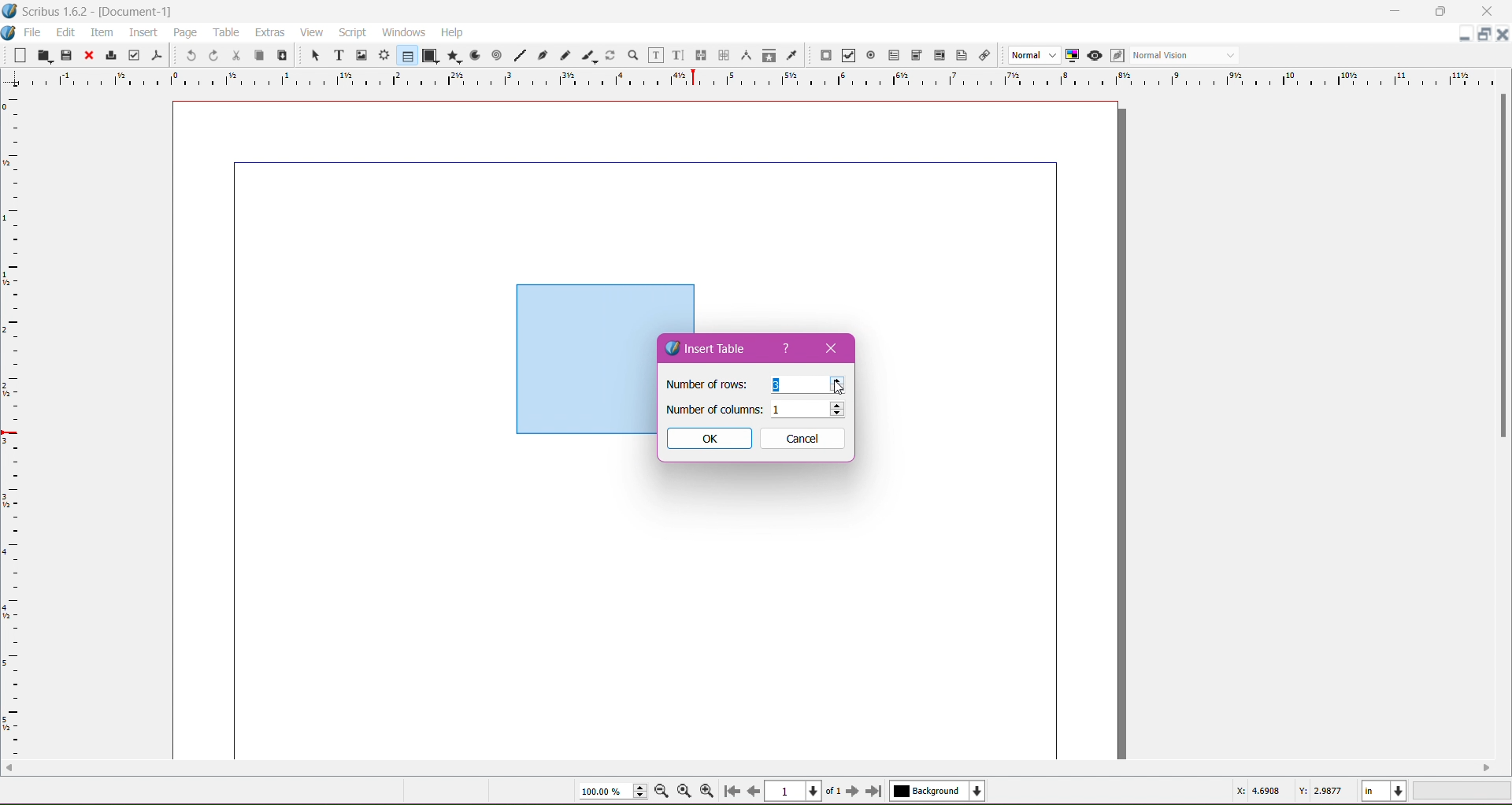  What do you see at coordinates (228, 32) in the screenshot?
I see `Table` at bounding box center [228, 32].